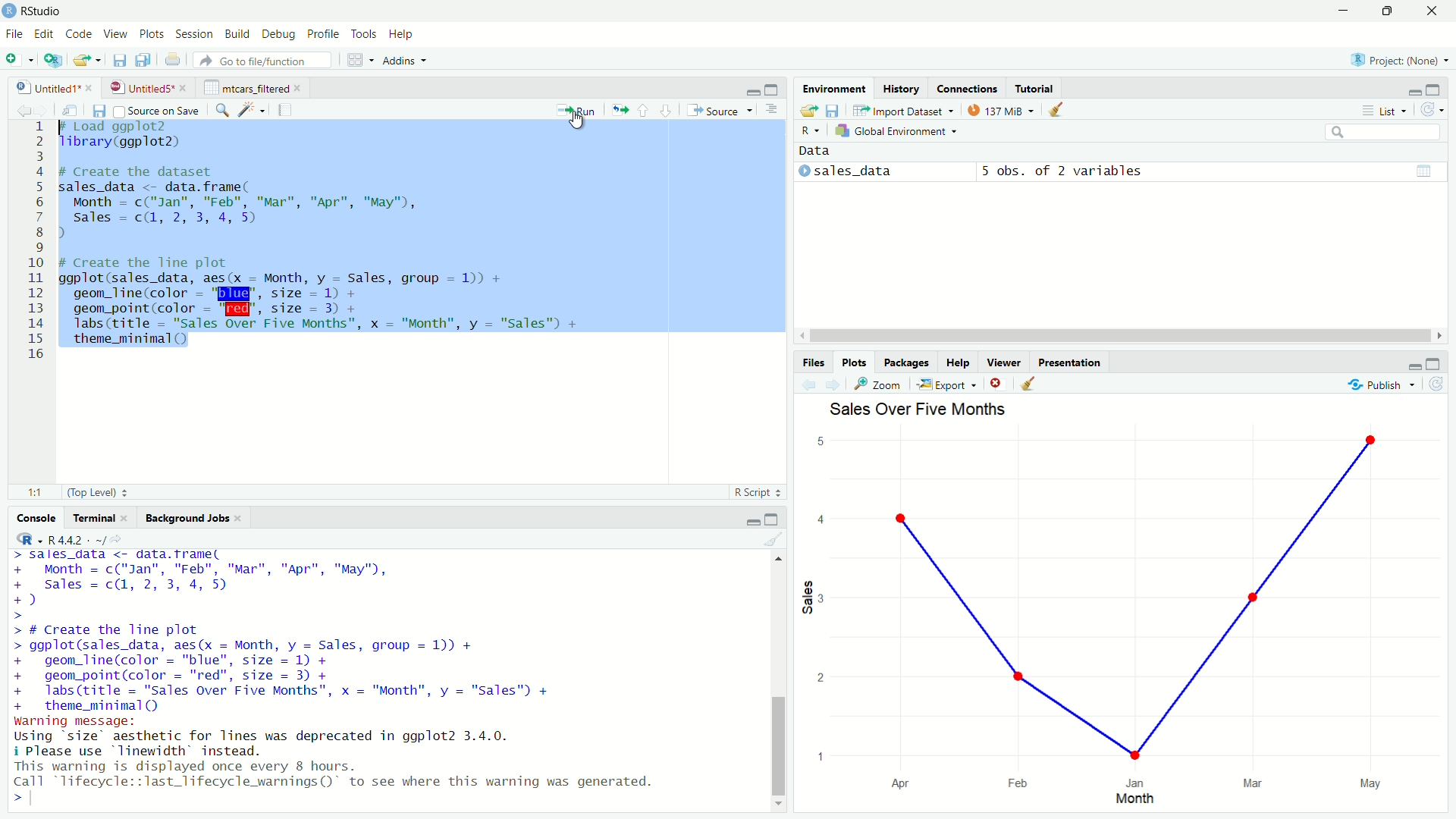 This screenshot has height=819, width=1456. I want to click on create a project, so click(53, 60).